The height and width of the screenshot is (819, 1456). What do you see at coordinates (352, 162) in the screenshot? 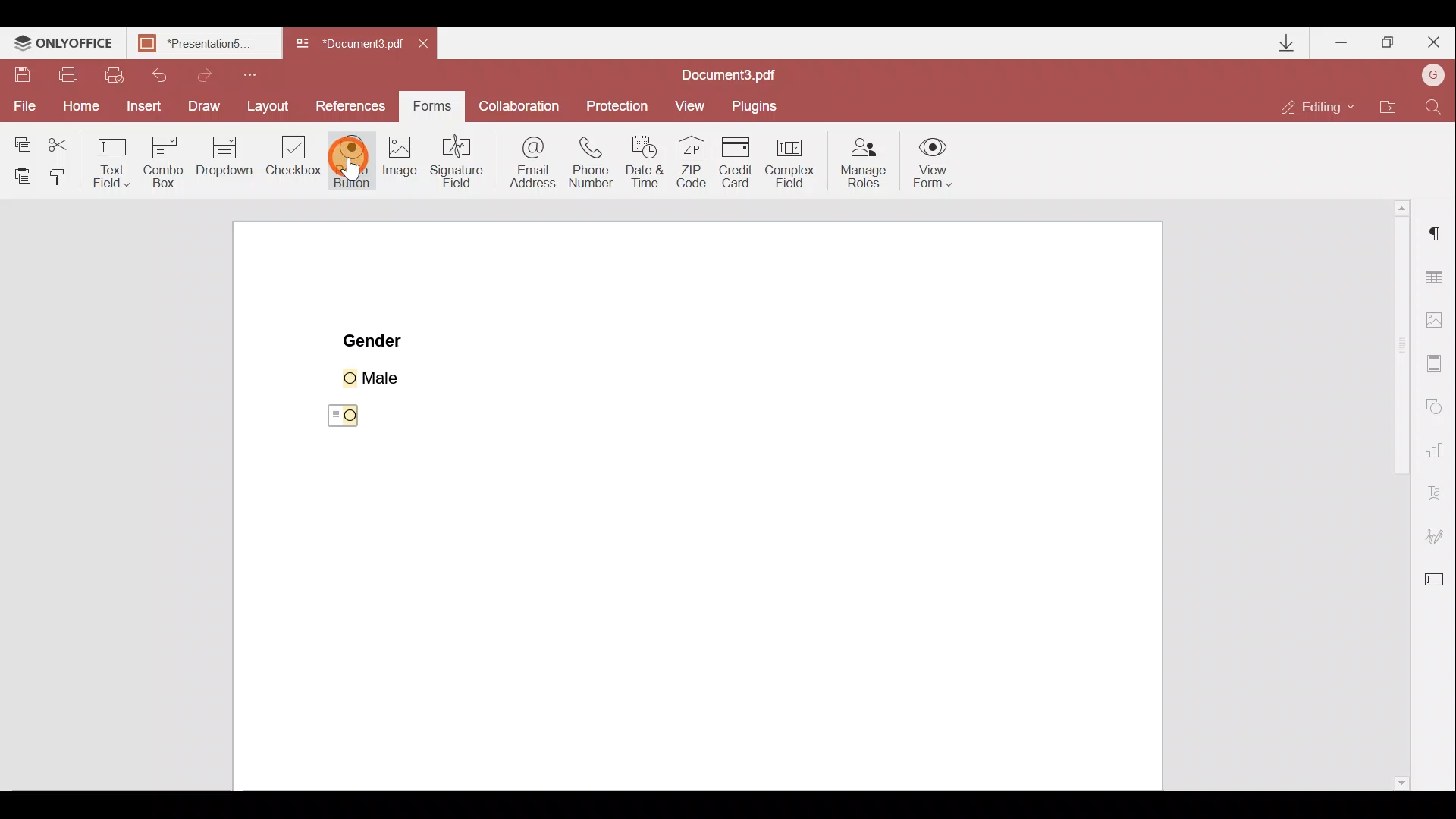
I see `Radio` at bounding box center [352, 162].